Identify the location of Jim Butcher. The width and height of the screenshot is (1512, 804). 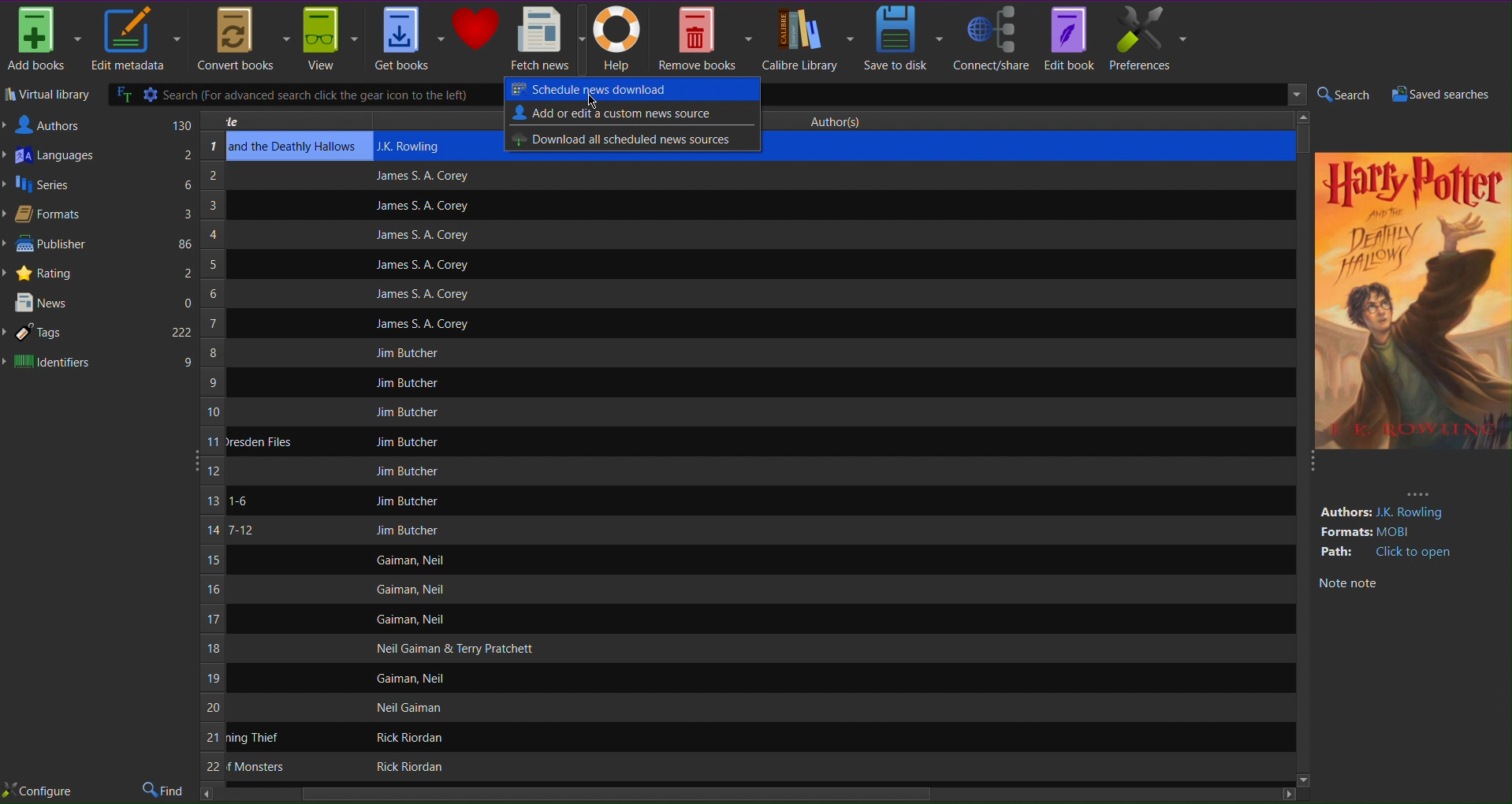
(407, 412).